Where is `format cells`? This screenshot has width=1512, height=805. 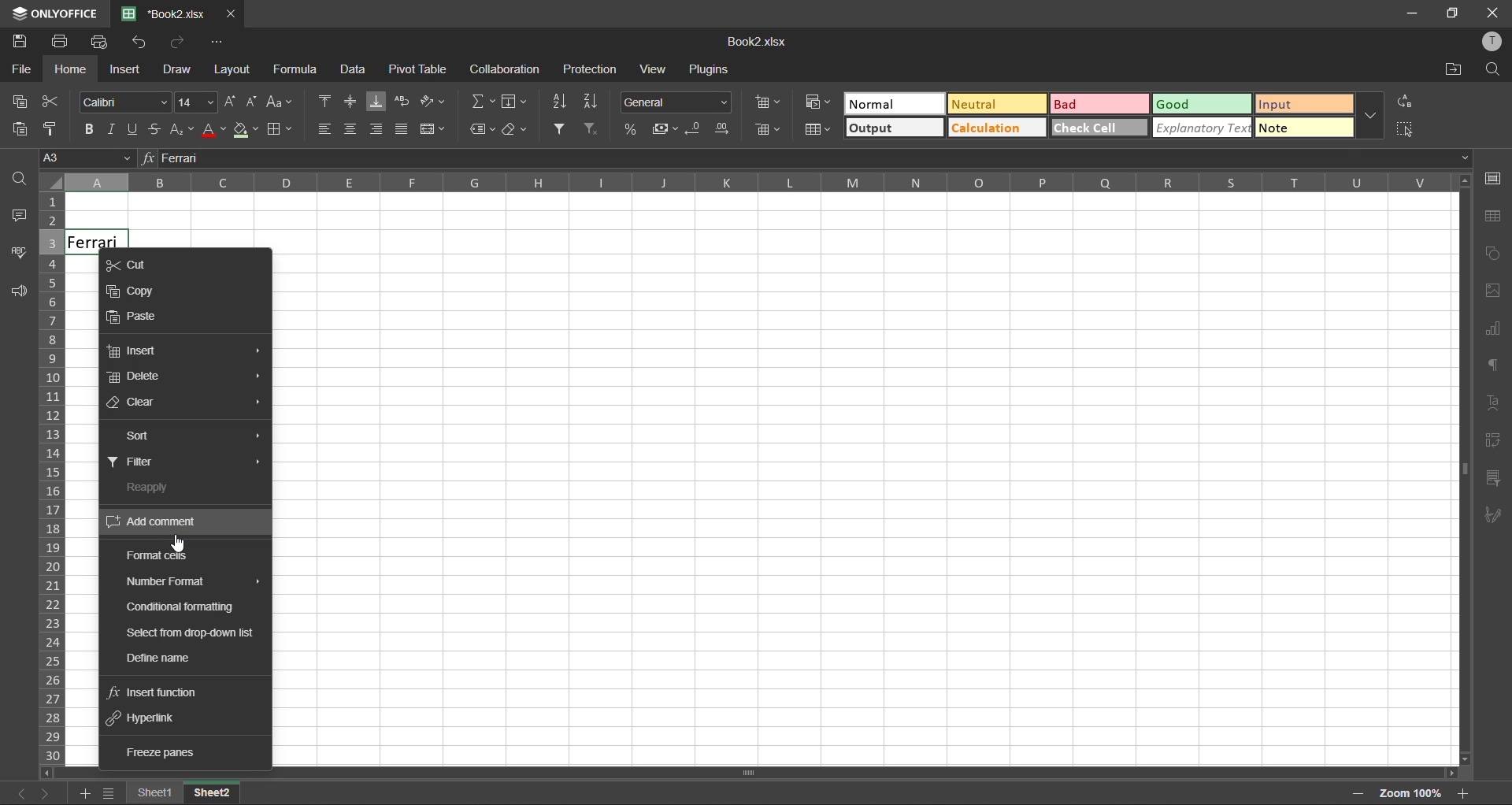 format cells is located at coordinates (160, 555).